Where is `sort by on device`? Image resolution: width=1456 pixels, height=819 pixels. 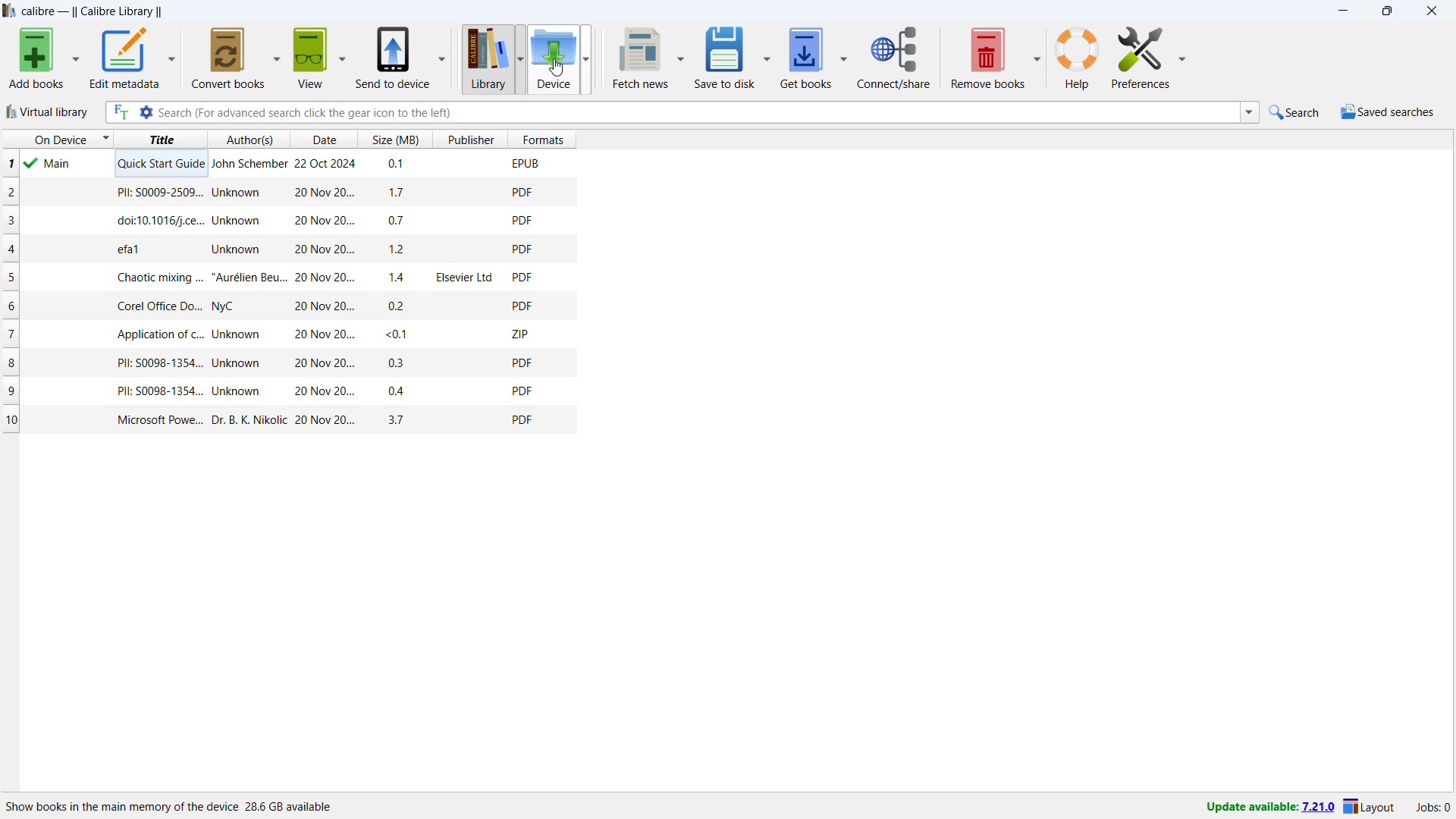
sort by on device is located at coordinates (56, 140).